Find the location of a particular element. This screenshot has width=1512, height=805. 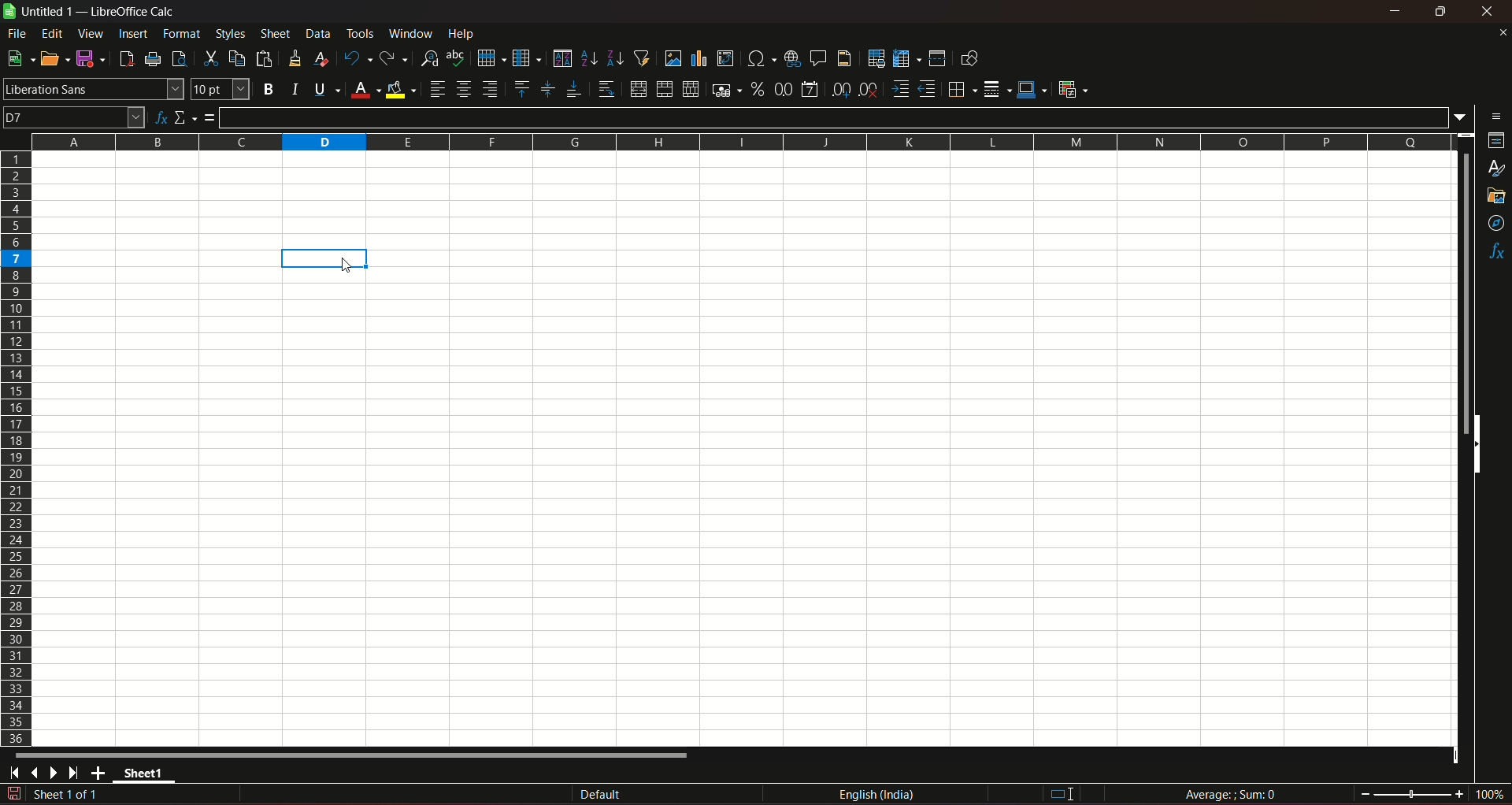

center vertically is located at coordinates (547, 89).